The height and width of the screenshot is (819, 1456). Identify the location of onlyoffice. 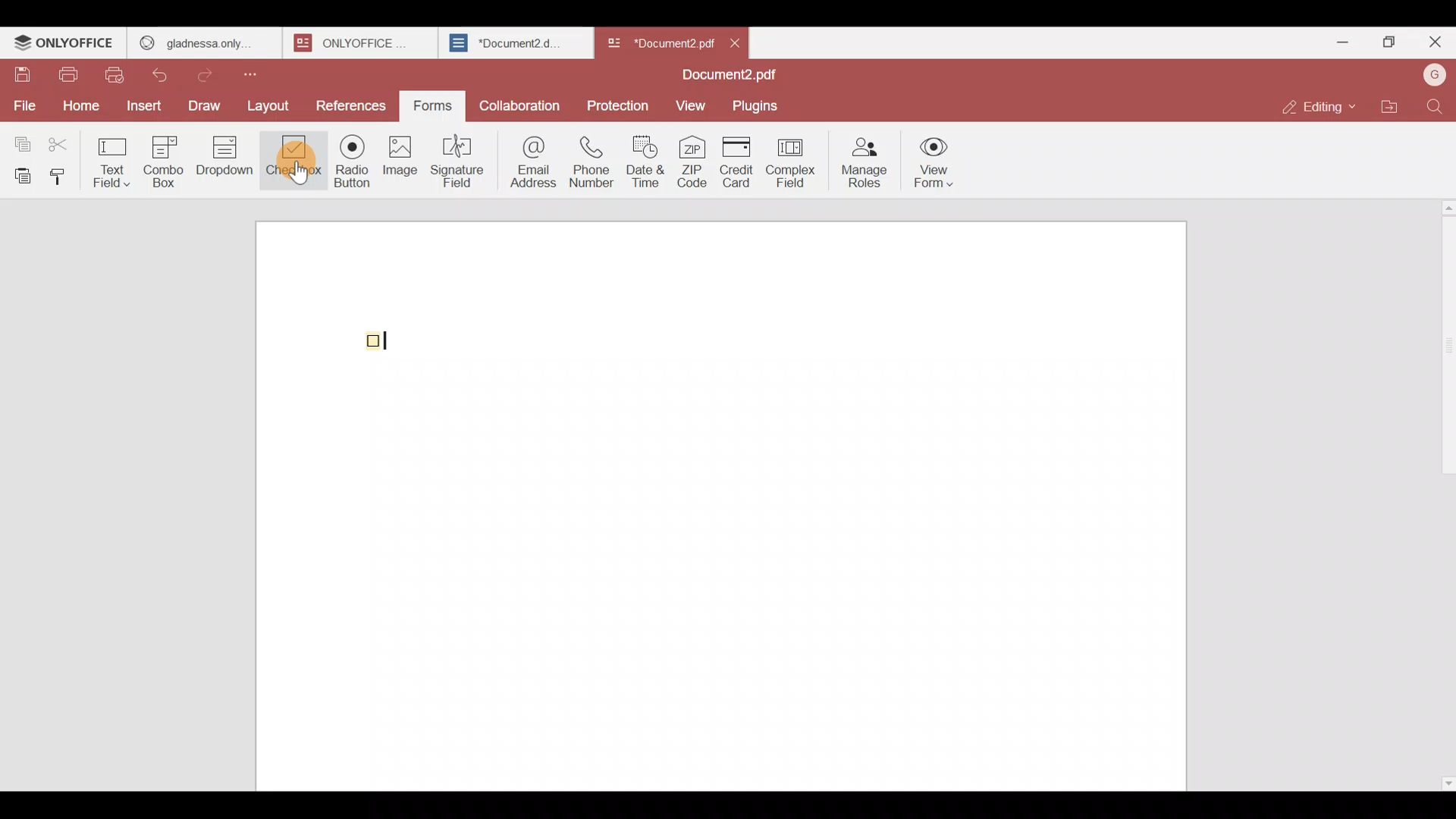
(355, 42).